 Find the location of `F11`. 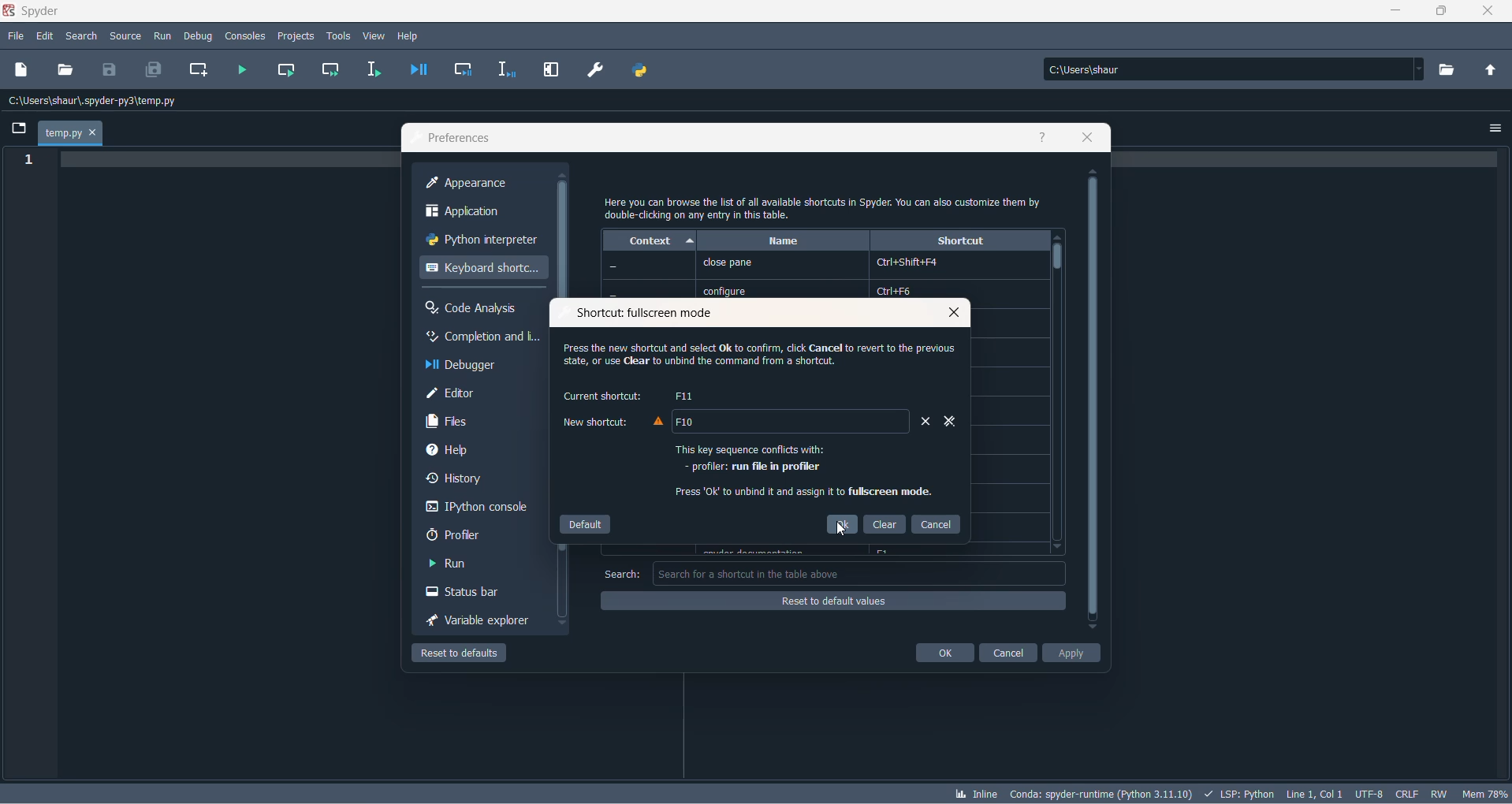

F11 is located at coordinates (683, 396).